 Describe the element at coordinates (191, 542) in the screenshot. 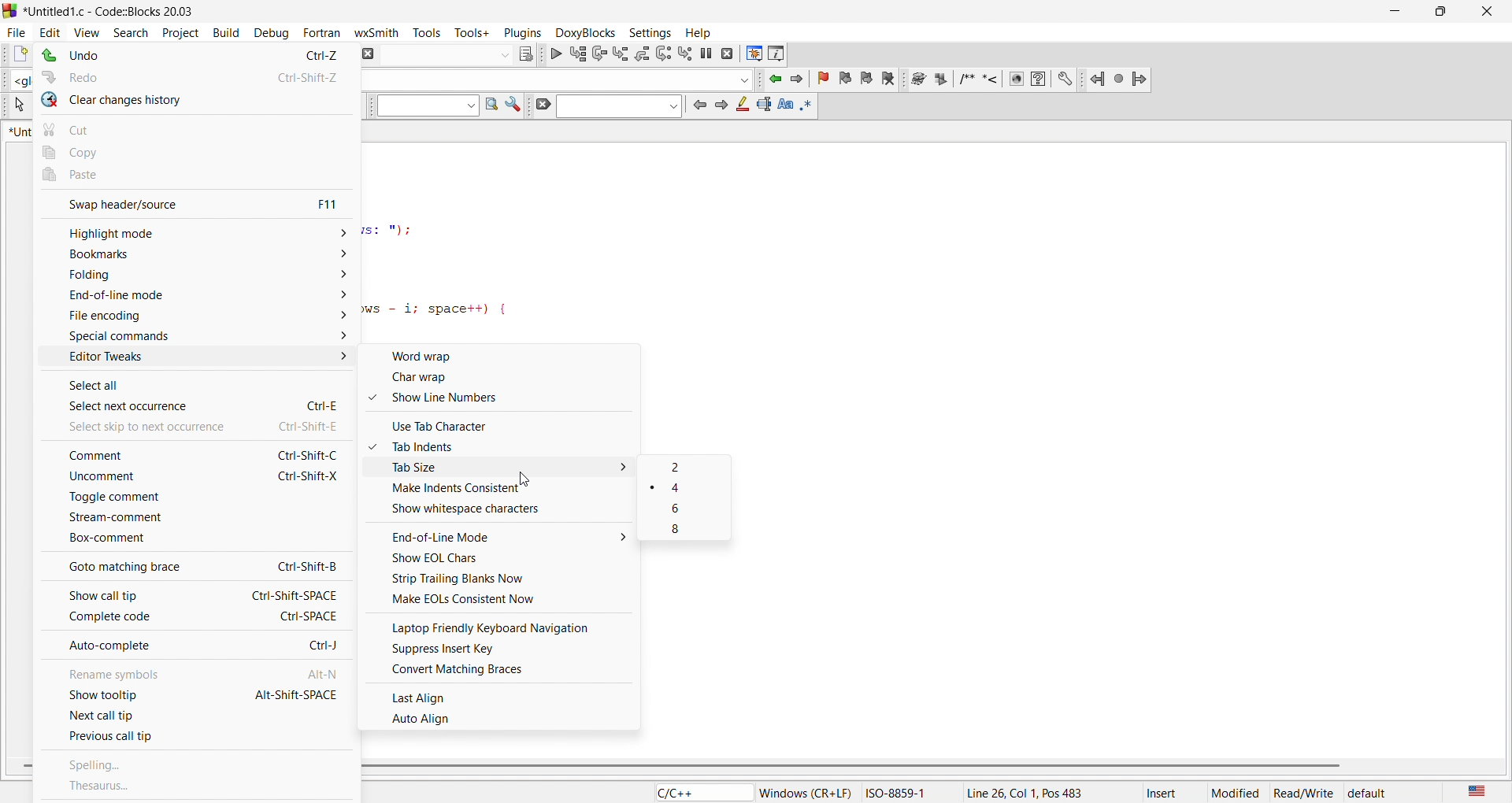

I see `box comment ` at that location.